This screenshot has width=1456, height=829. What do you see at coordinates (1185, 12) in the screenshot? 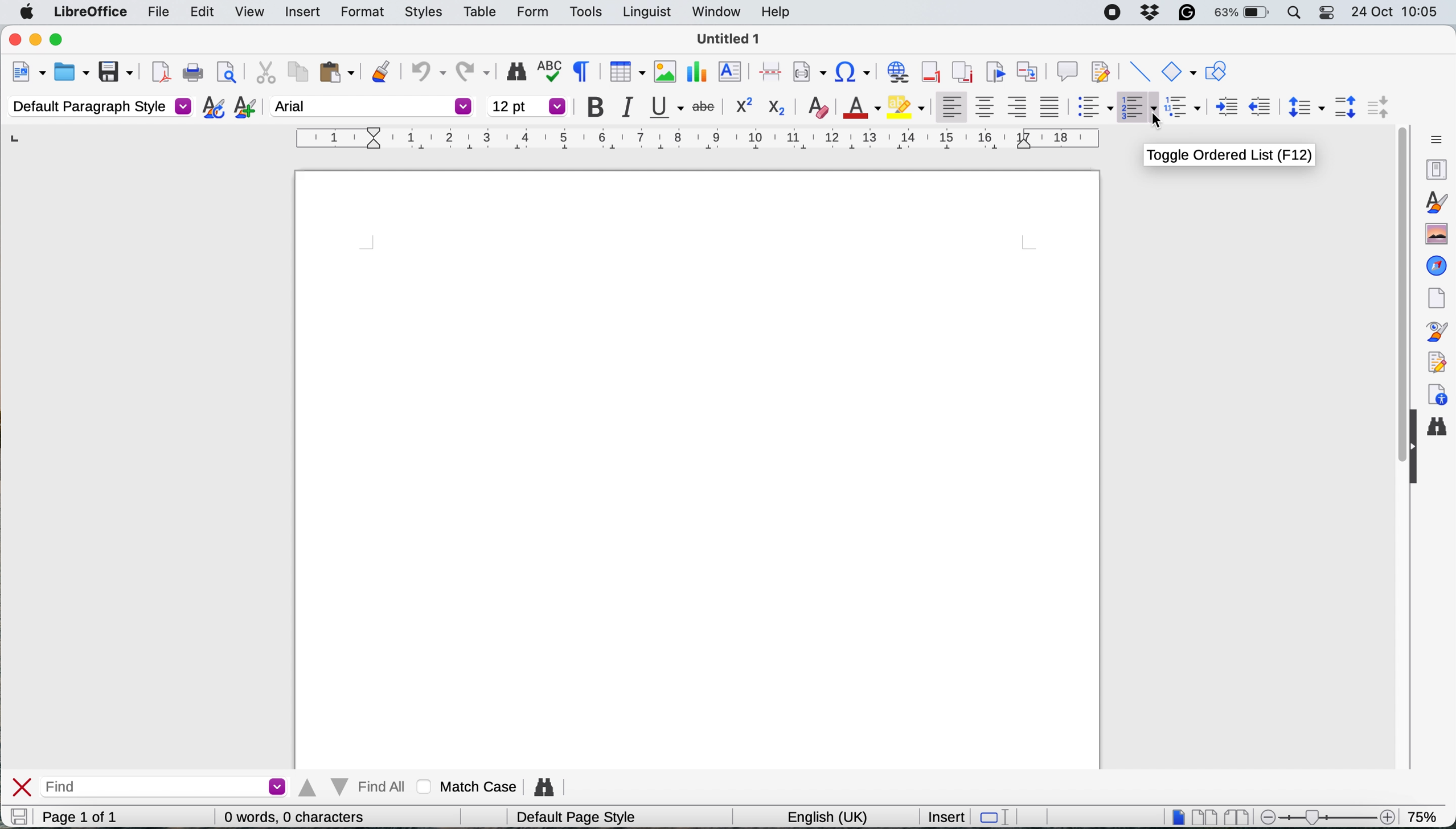
I see `grammarly` at bounding box center [1185, 12].